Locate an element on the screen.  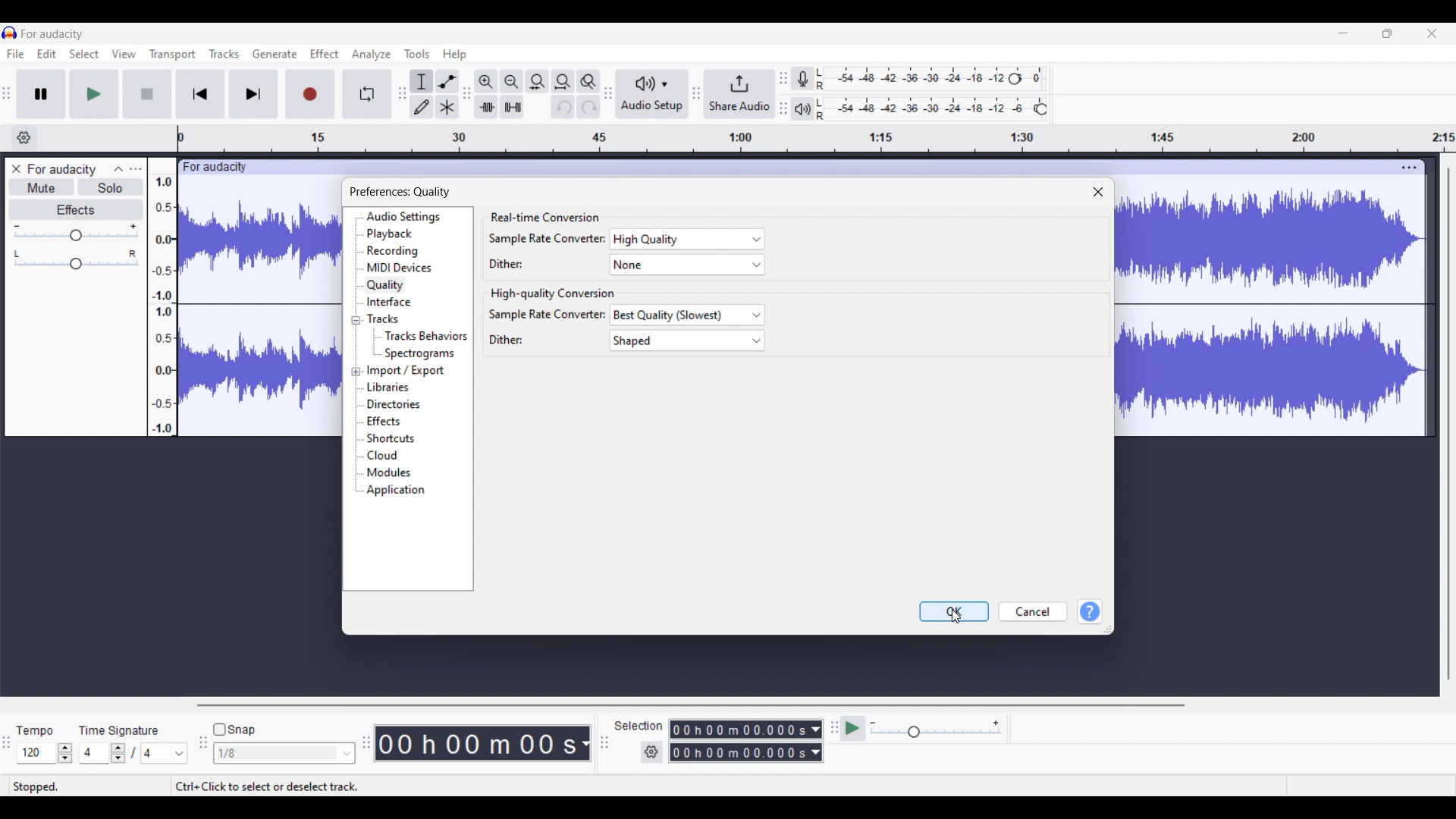
high quality is located at coordinates (646, 240).